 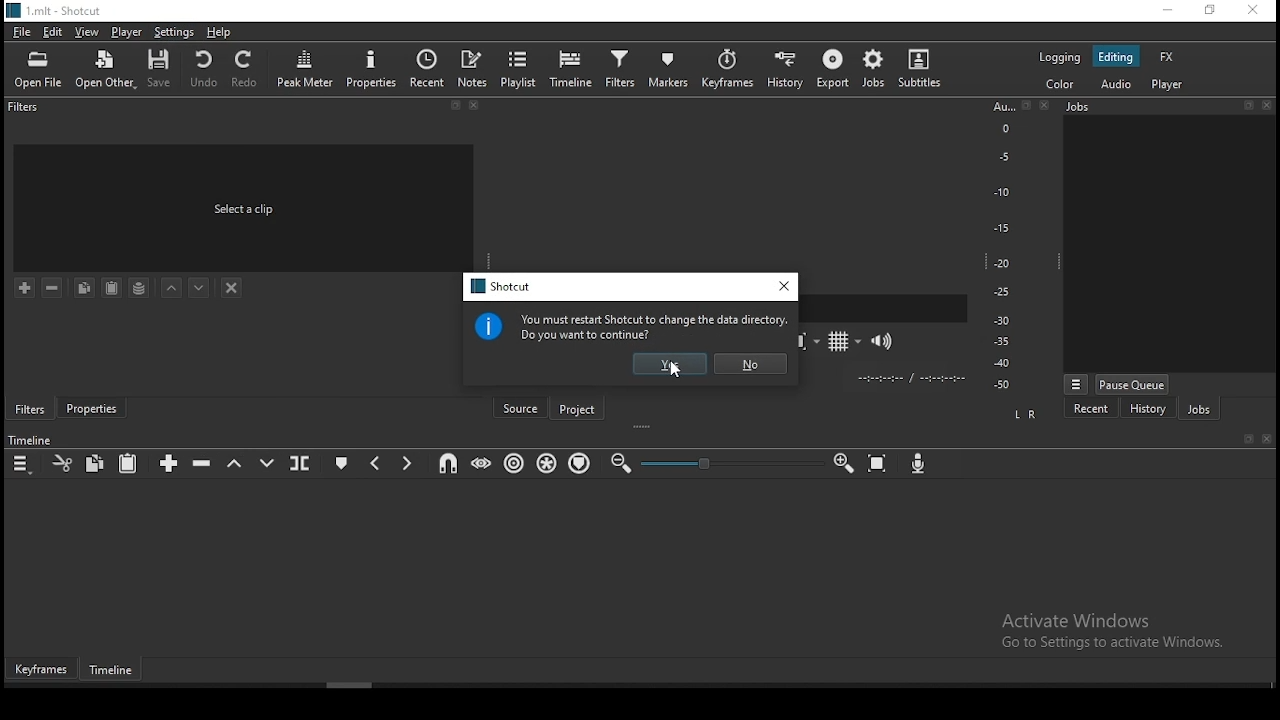 I want to click on zoom in or zoom out bar, so click(x=722, y=463).